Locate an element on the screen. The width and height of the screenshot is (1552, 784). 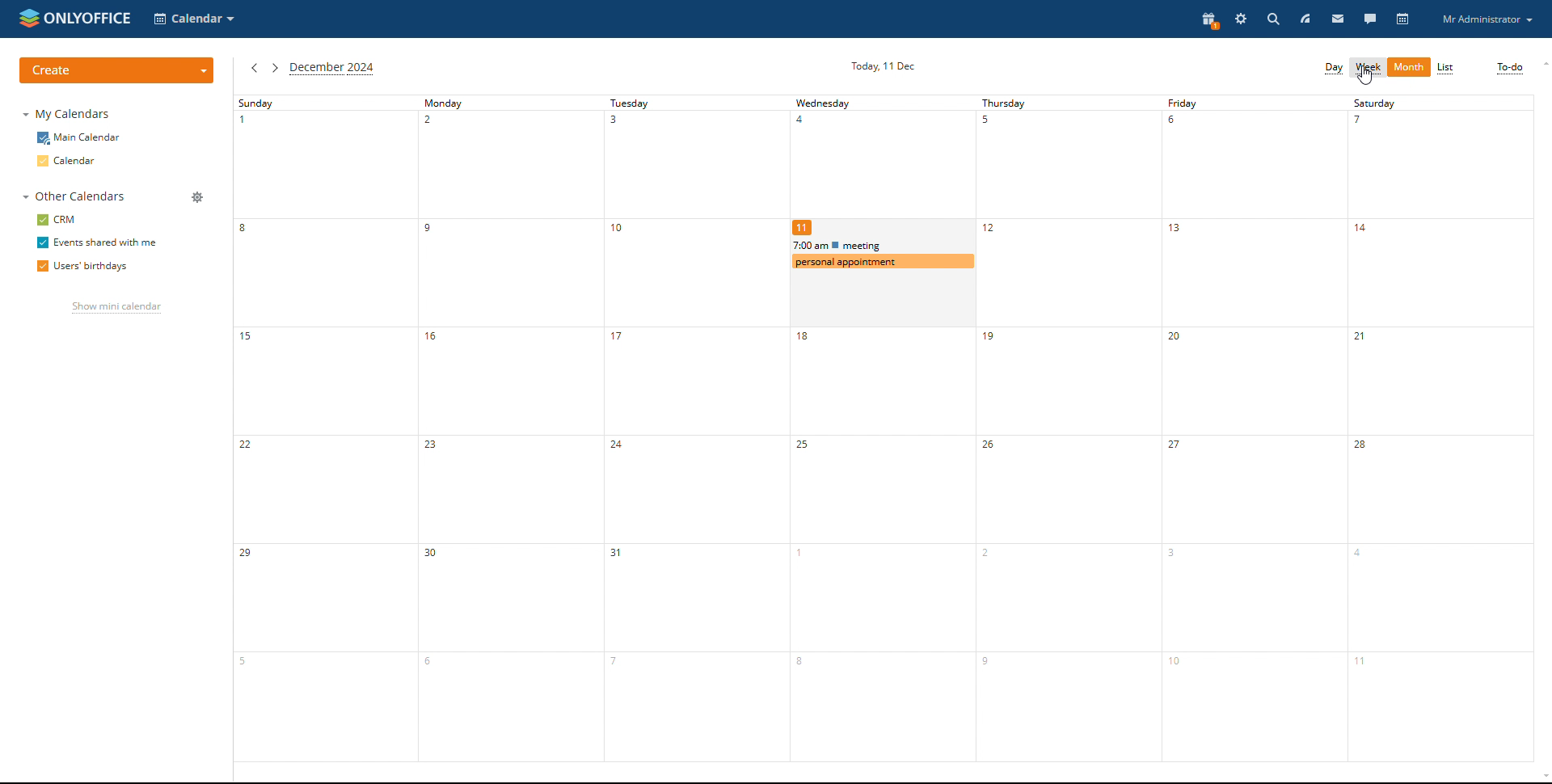
to-do is located at coordinates (1511, 69).